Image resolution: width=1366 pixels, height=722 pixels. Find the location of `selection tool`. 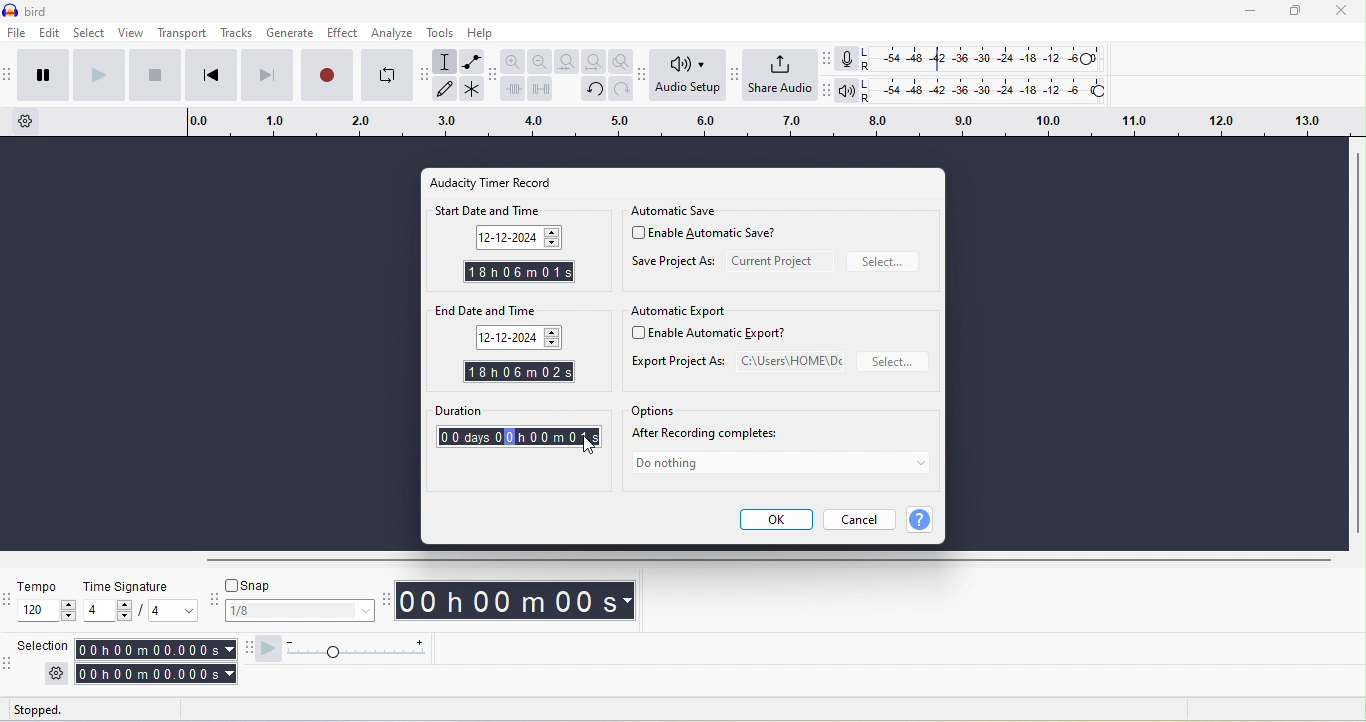

selection tool is located at coordinates (448, 63).